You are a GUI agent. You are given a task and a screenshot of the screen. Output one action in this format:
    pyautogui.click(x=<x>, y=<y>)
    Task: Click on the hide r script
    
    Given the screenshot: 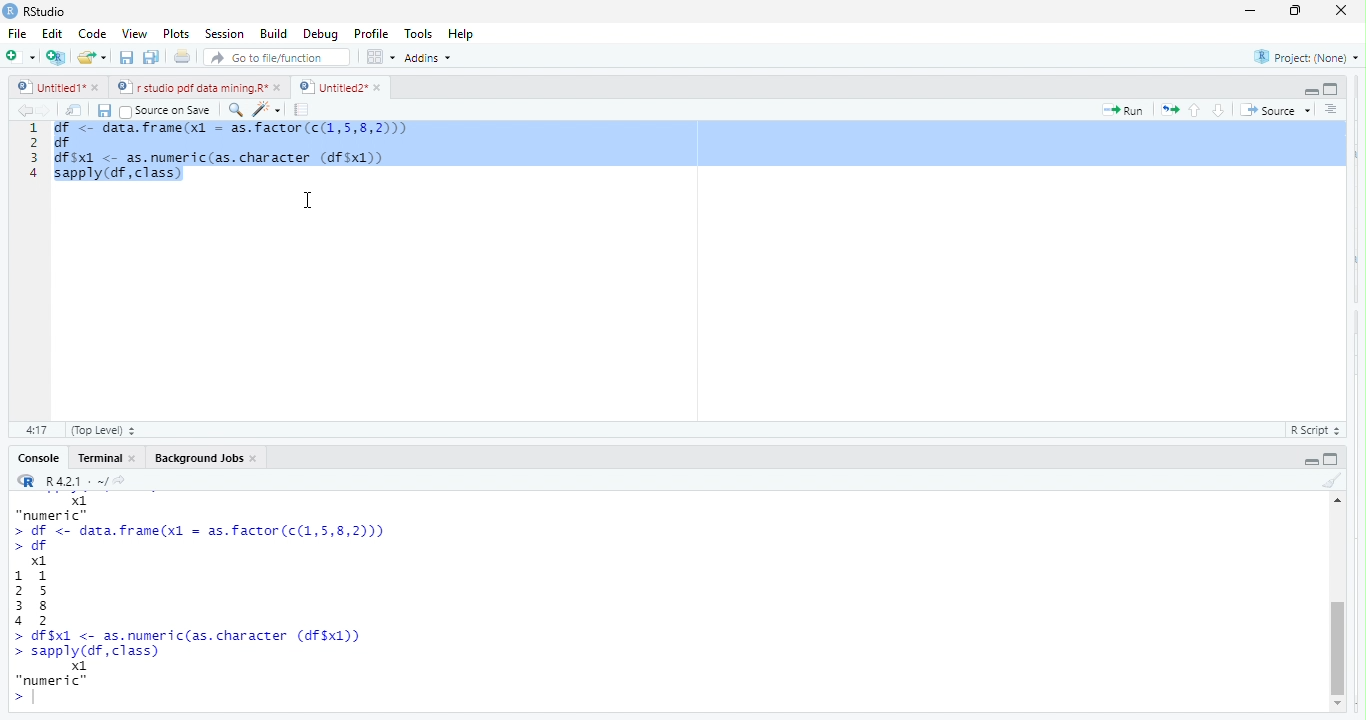 What is the action you would take?
    pyautogui.click(x=1312, y=462)
    